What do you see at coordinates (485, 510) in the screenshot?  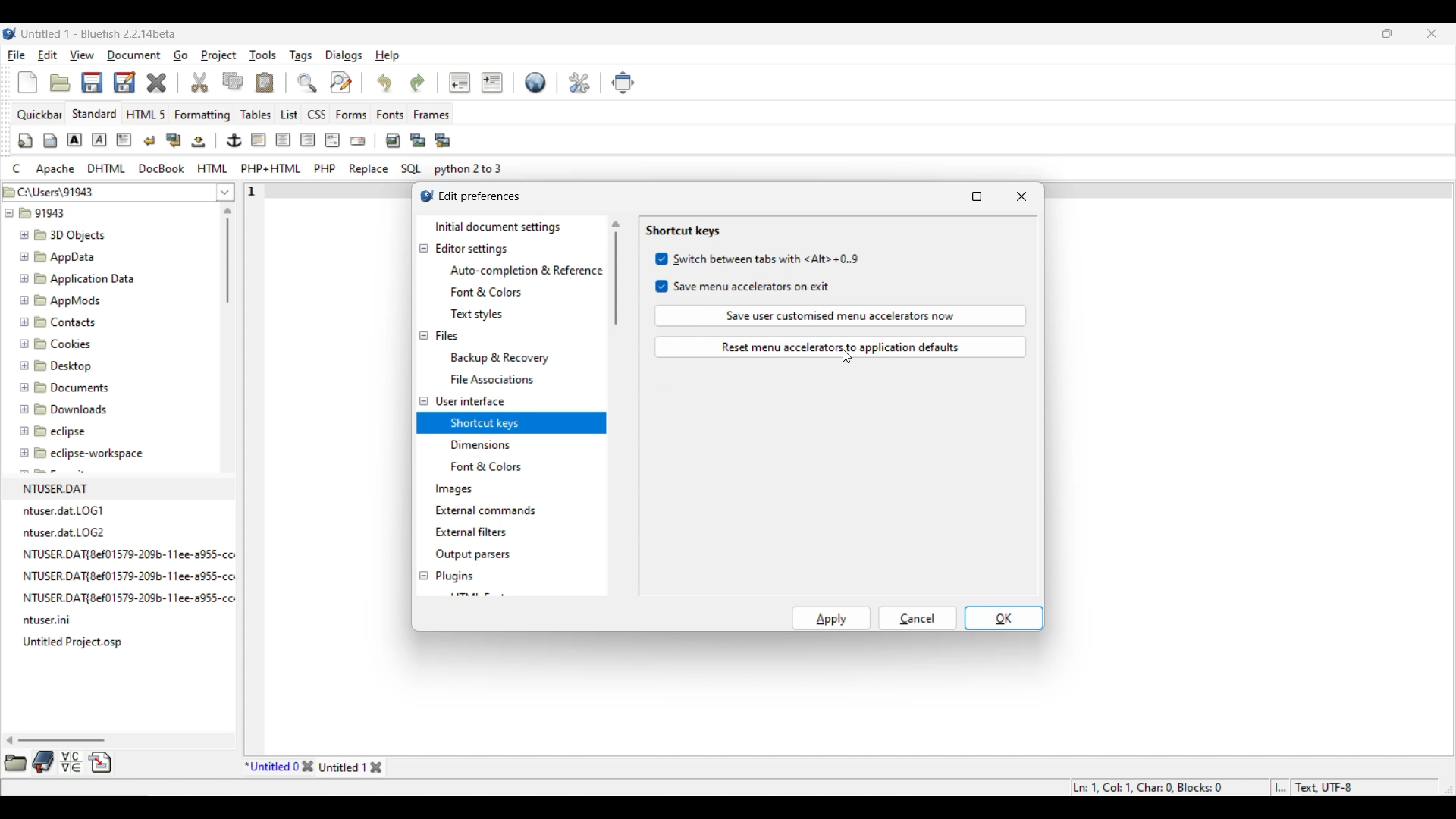 I see `External commands` at bounding box center [485, 510].